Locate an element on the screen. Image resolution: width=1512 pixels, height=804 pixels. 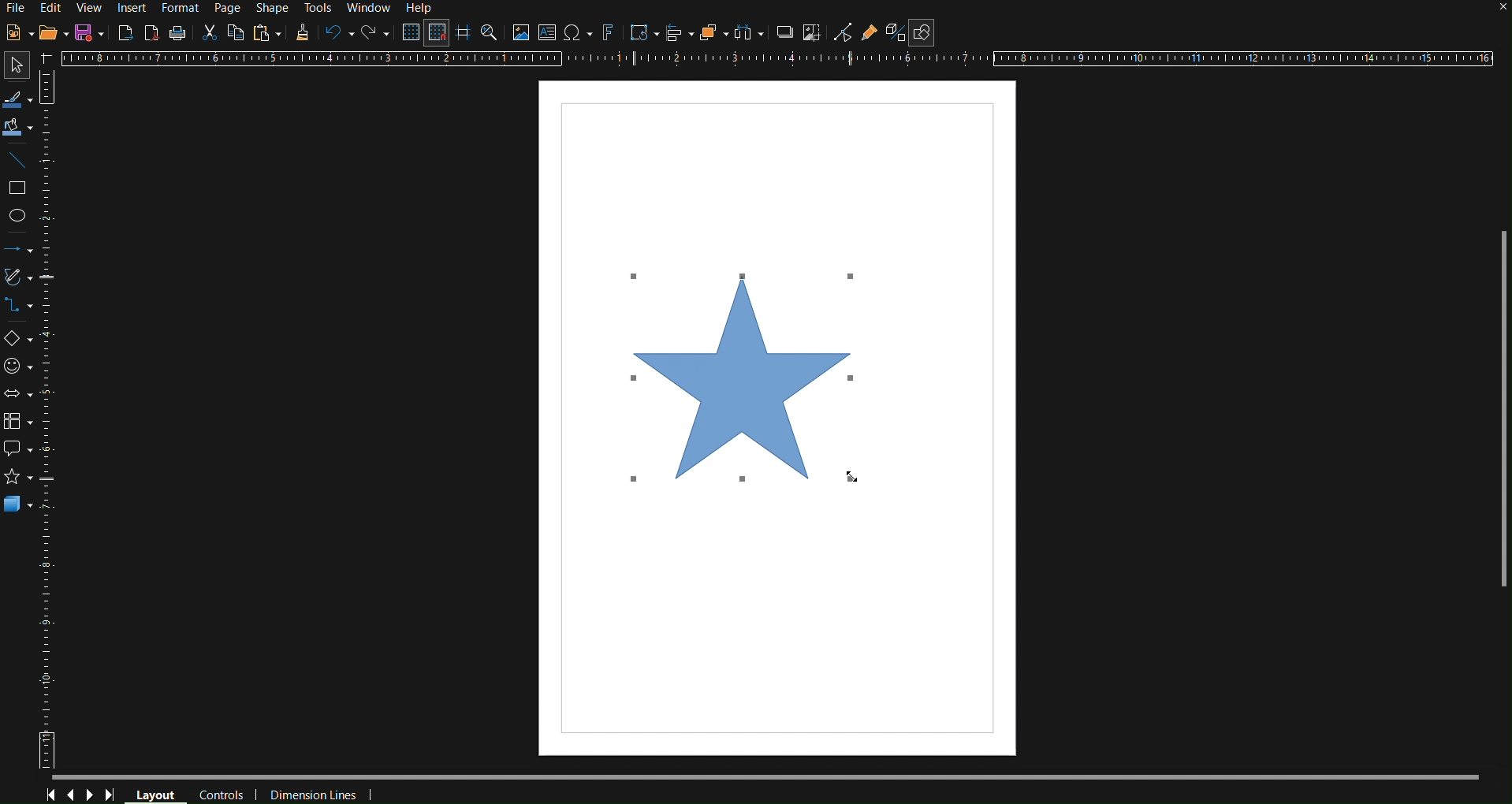
Display Grid is located at coordinates (408, 33).